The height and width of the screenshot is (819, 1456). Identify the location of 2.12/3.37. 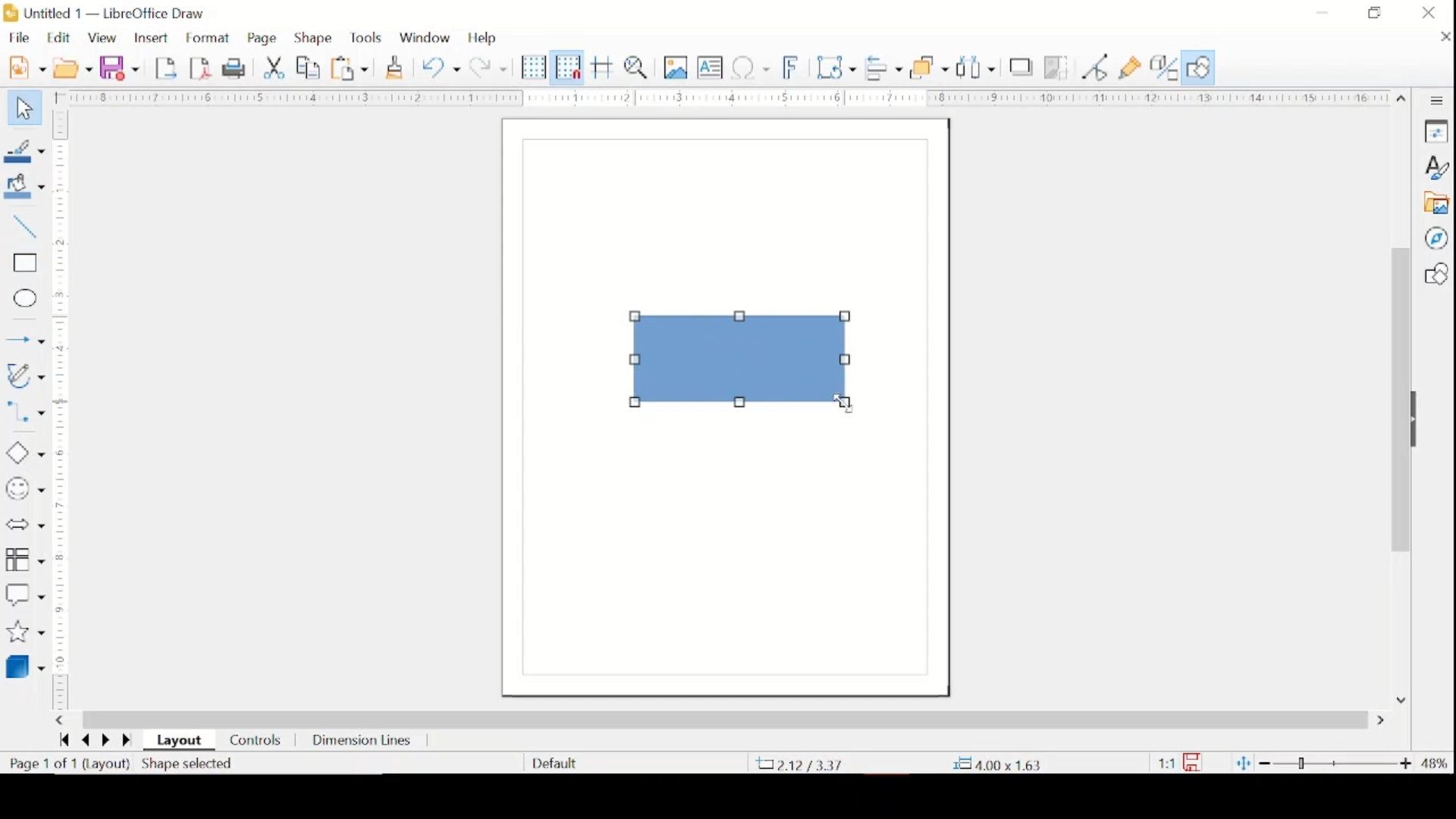
(803, 764).